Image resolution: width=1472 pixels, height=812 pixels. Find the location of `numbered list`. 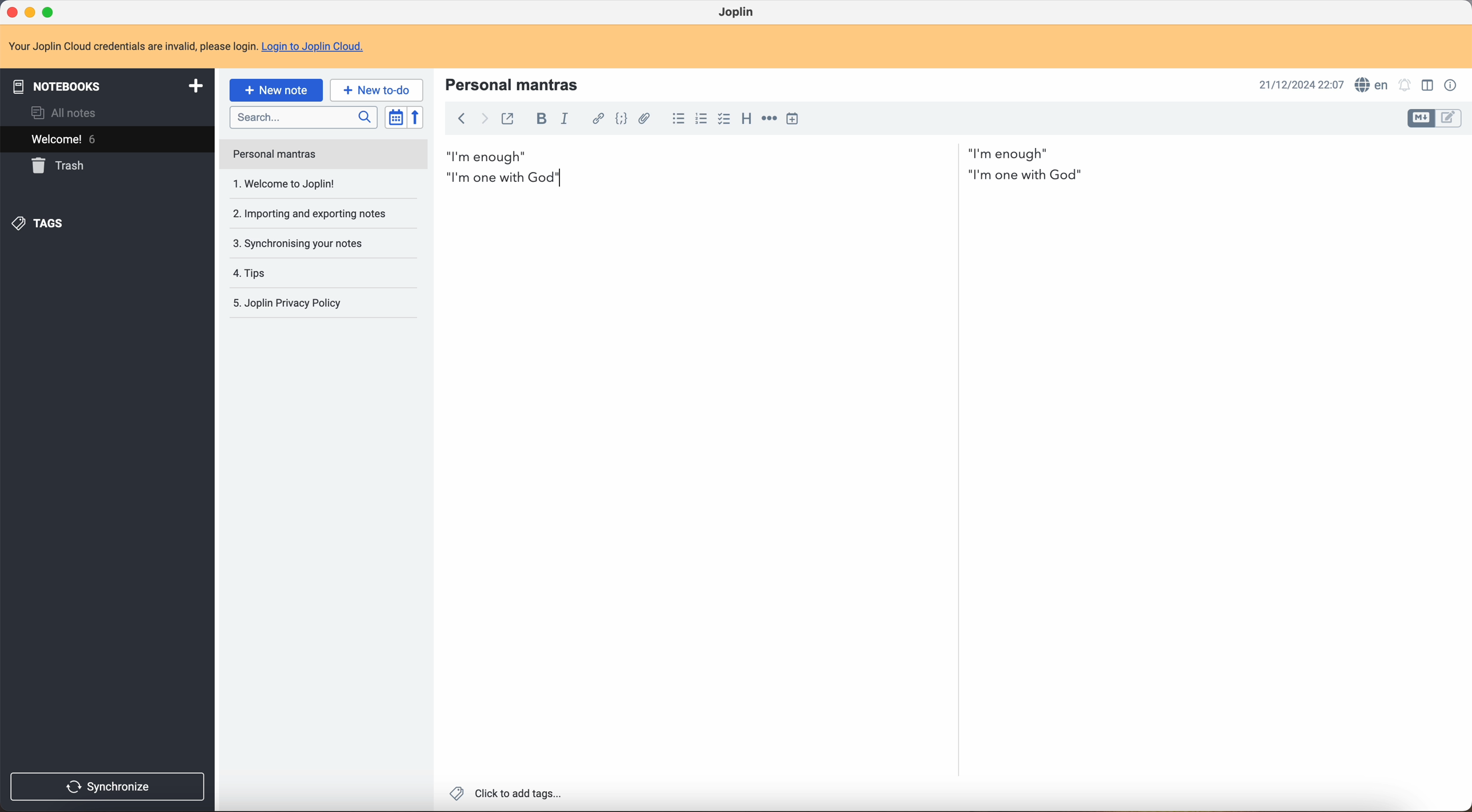

numbered list is located at coordinates (702, 118).